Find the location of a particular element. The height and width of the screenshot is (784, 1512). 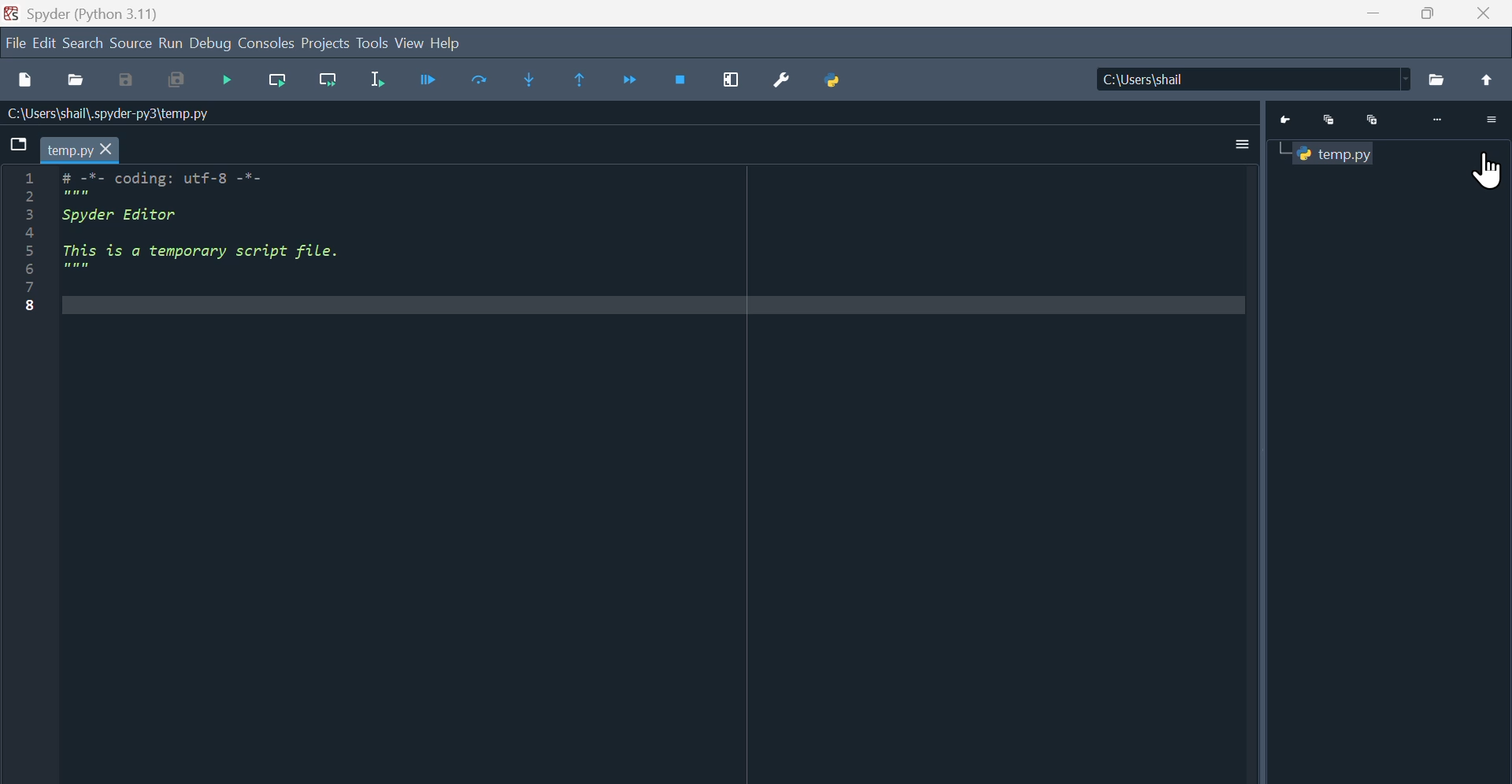

Run until same function returns is located at coordinates (581, 80).